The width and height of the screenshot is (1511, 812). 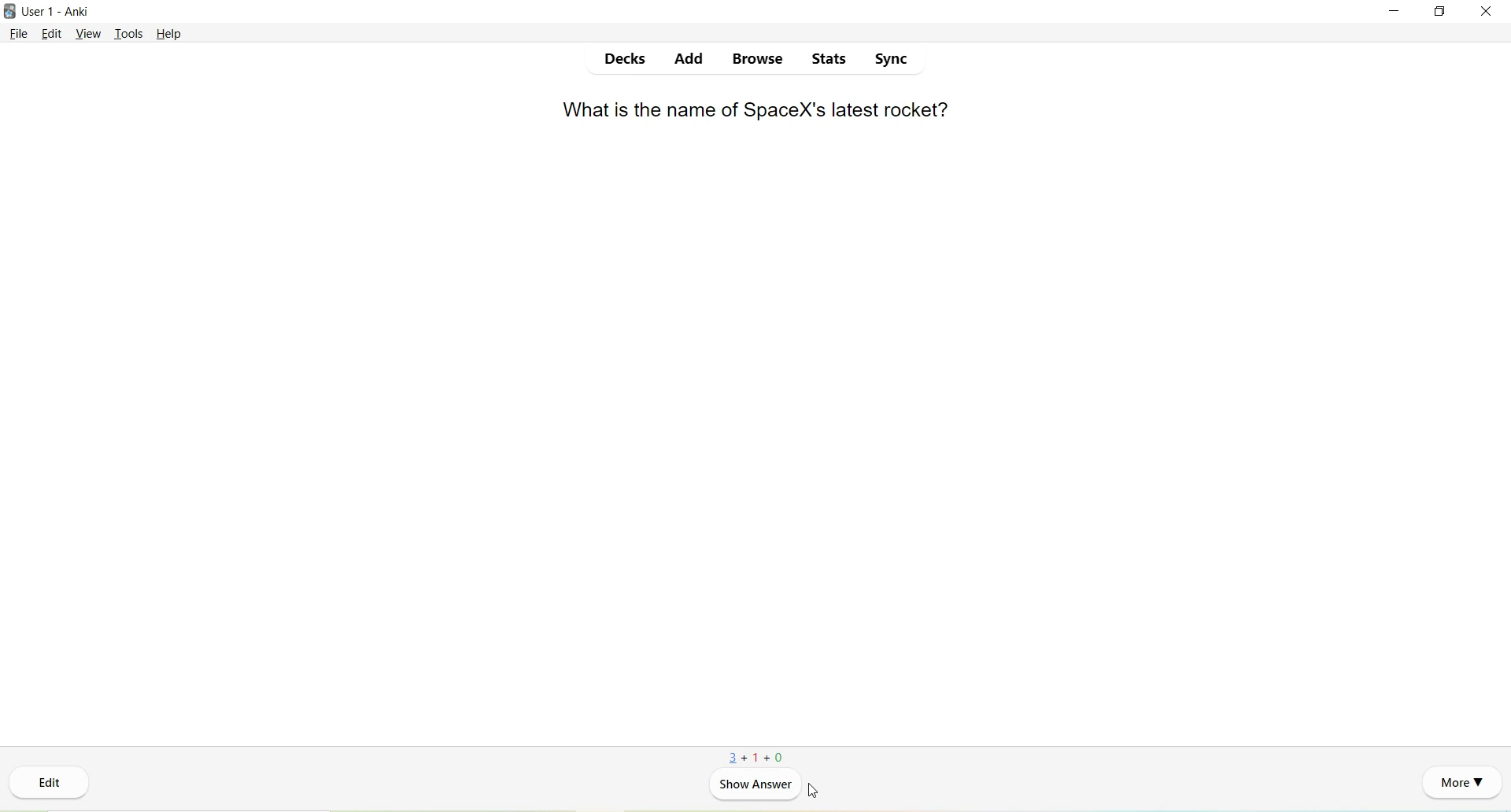 I want to click on cursor, so click(x=815, y=789).